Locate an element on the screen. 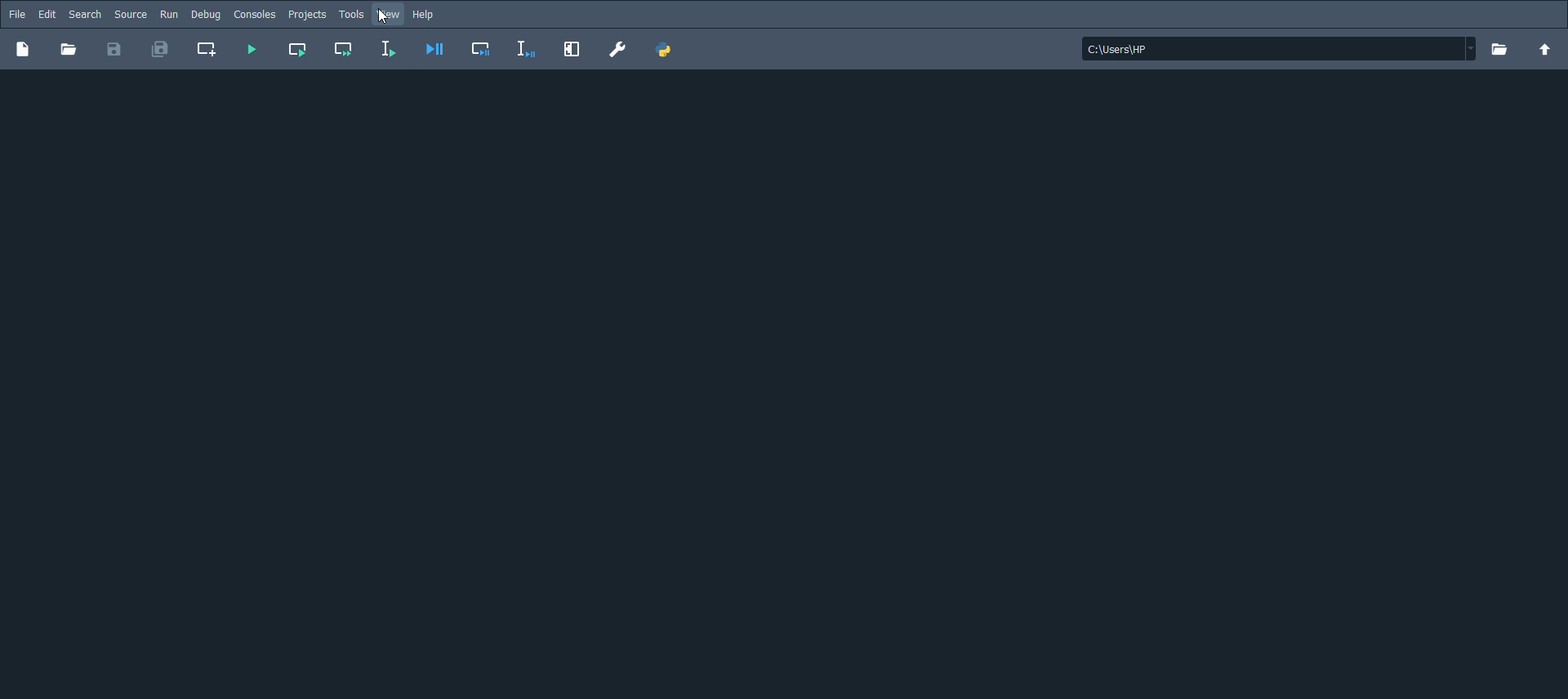  Maximize current pane is located at coordinates (572, 49).